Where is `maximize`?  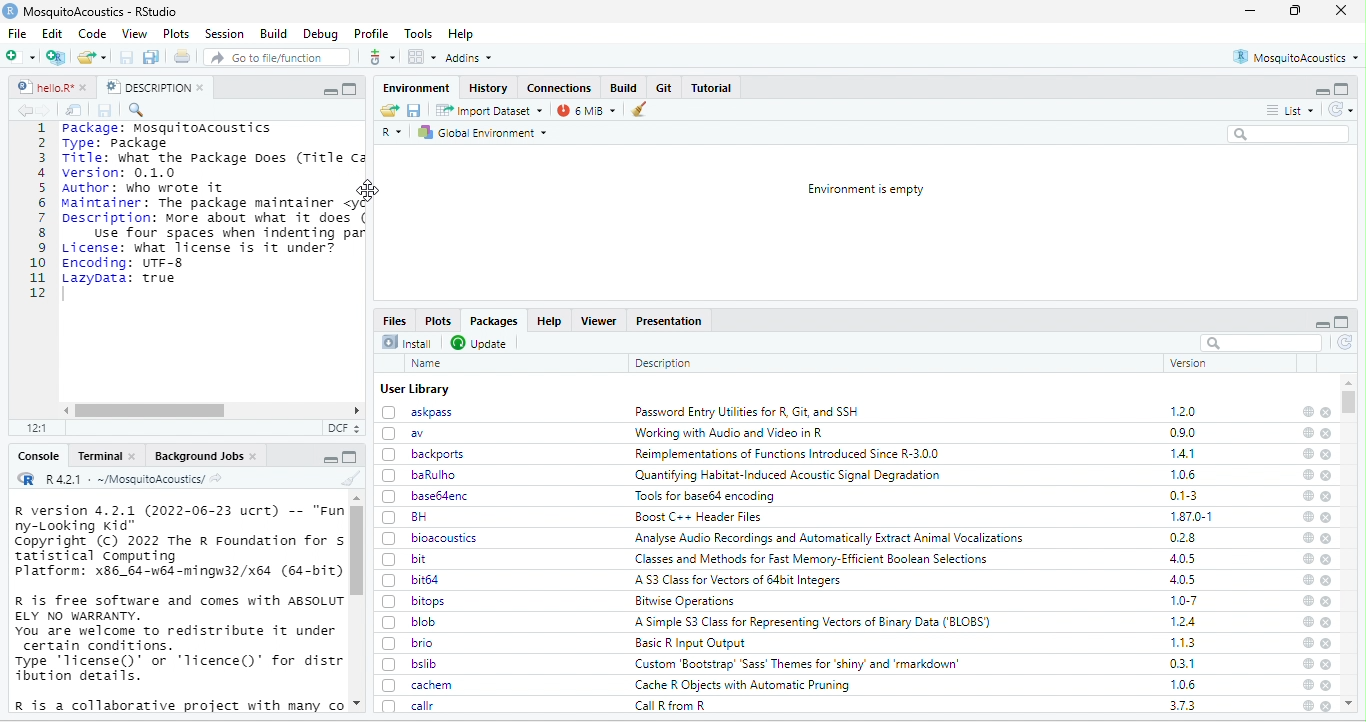 maximize is located at coordinates (1342, 89).